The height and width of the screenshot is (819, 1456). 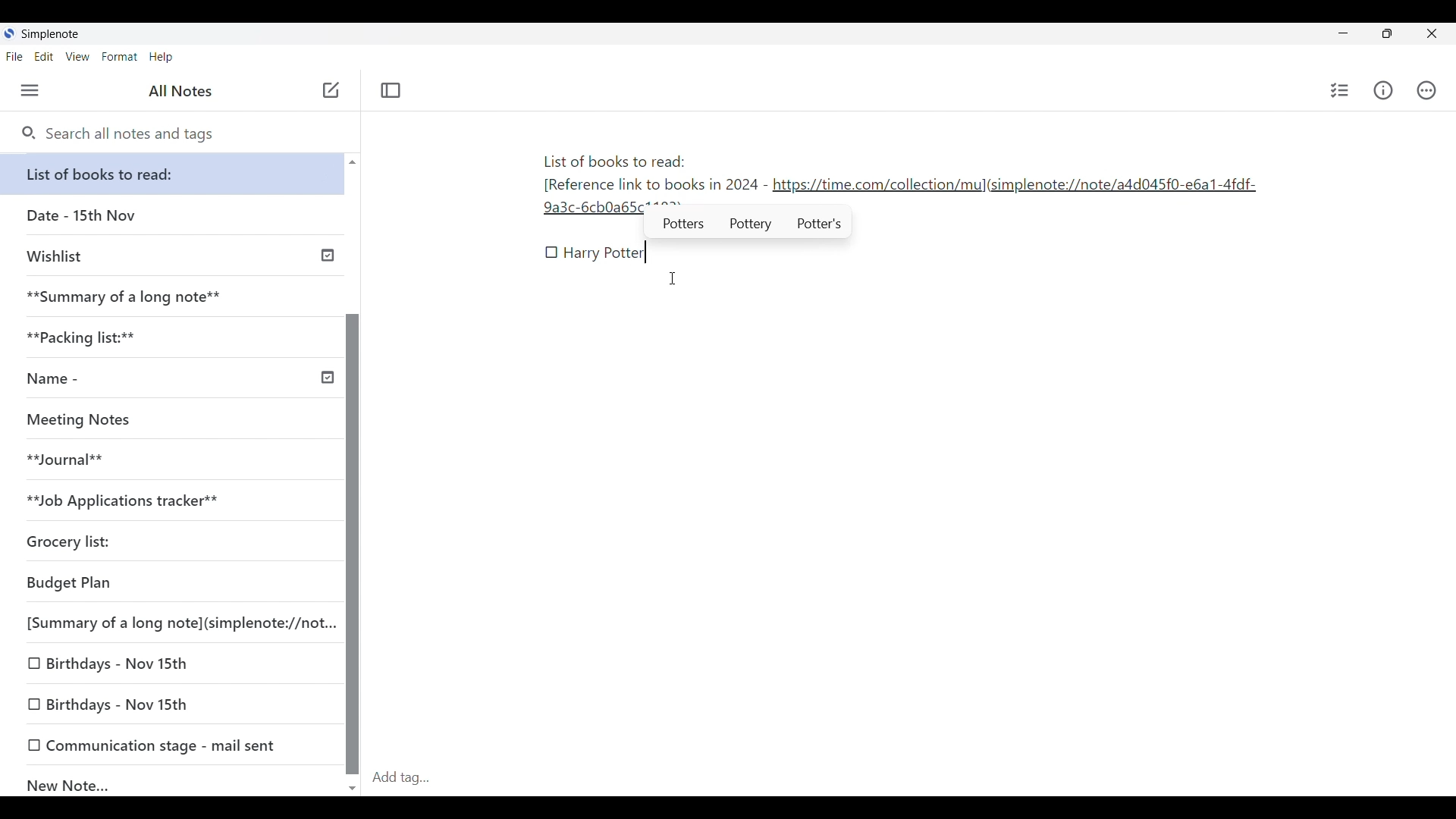 What do you see at coordinates (162, 58) in the screenshot?
I see `Help ` at bounding box center [162, 58].